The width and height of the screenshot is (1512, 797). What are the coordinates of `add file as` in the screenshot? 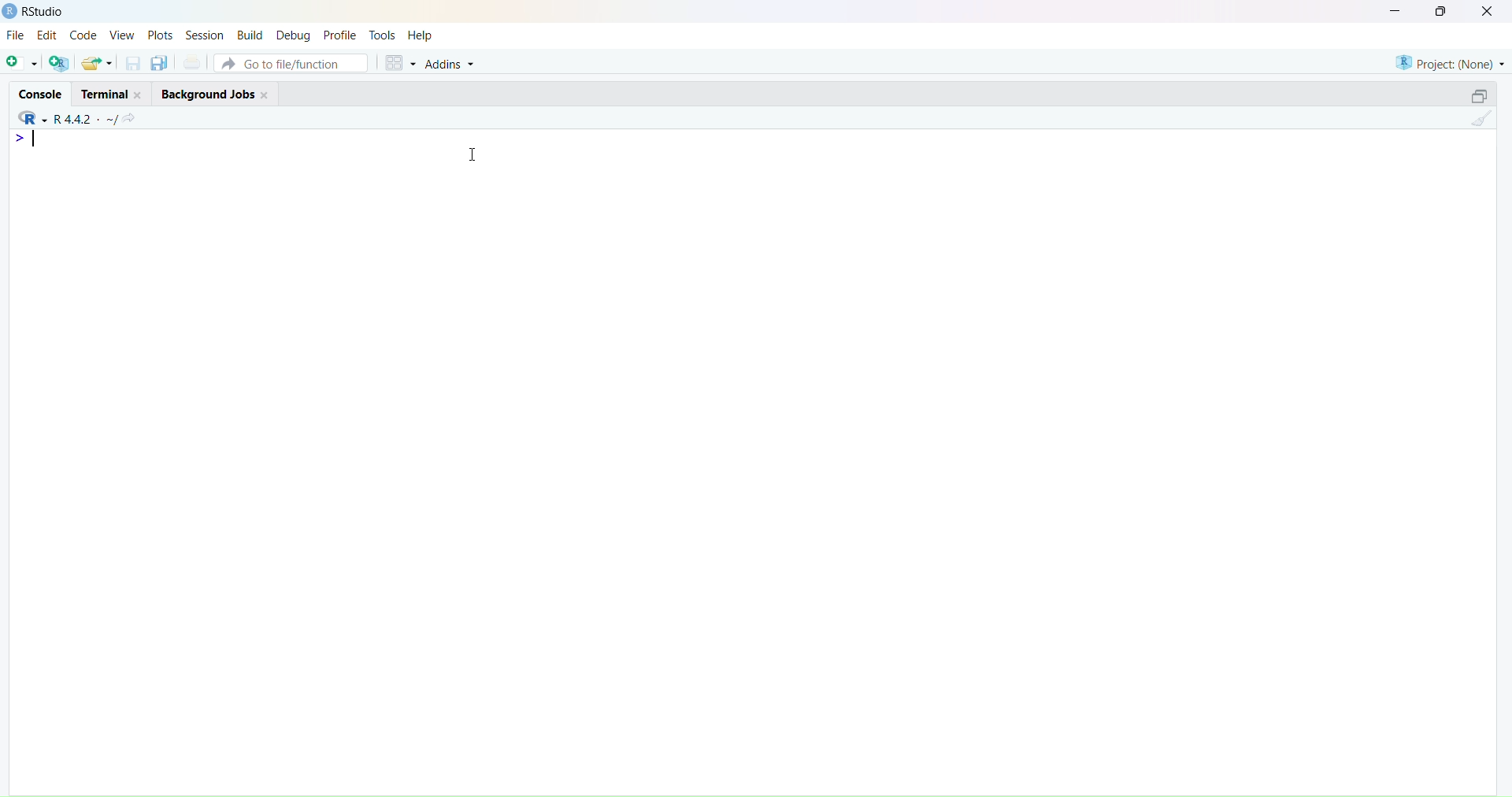 It's located at (22, 64).